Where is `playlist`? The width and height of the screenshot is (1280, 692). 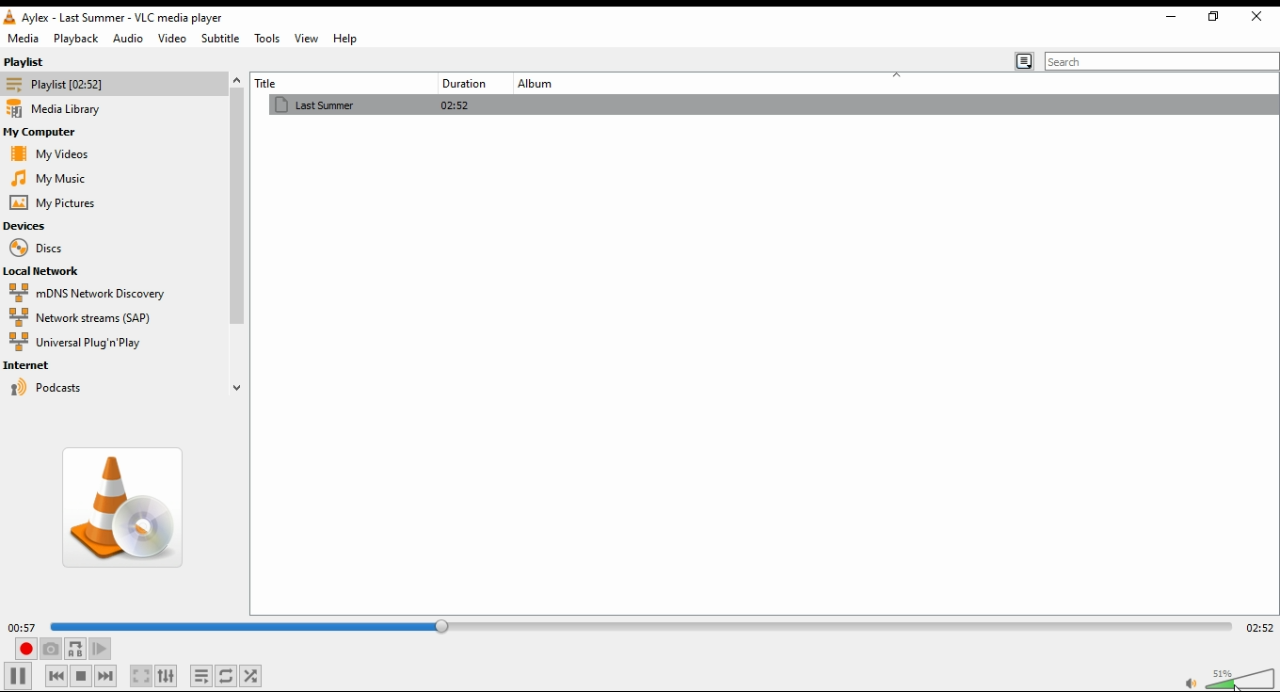 playlist is located at coordinates (44, 62).